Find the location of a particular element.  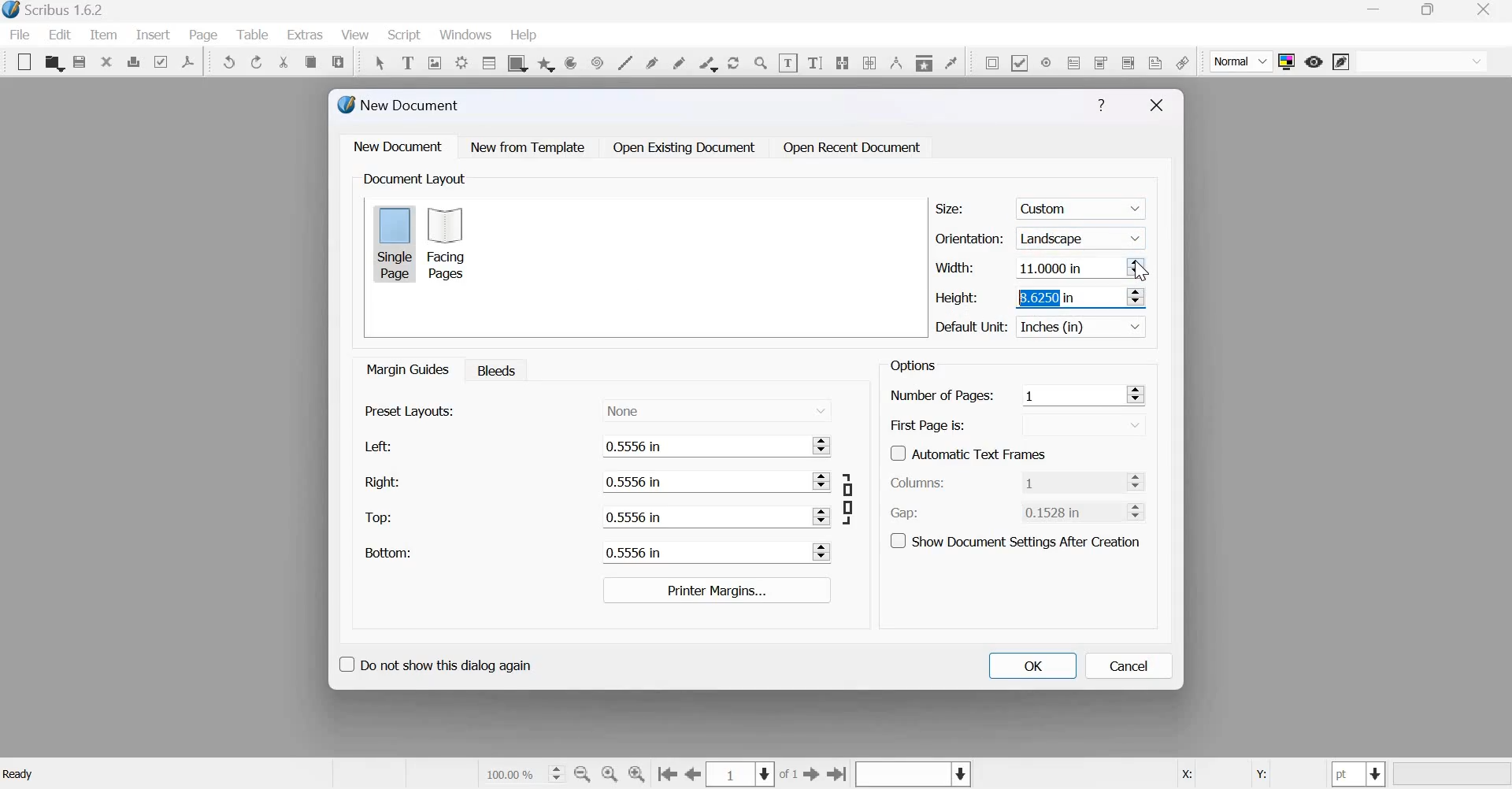

Default Unit:  is located at coordinates (972, 328).